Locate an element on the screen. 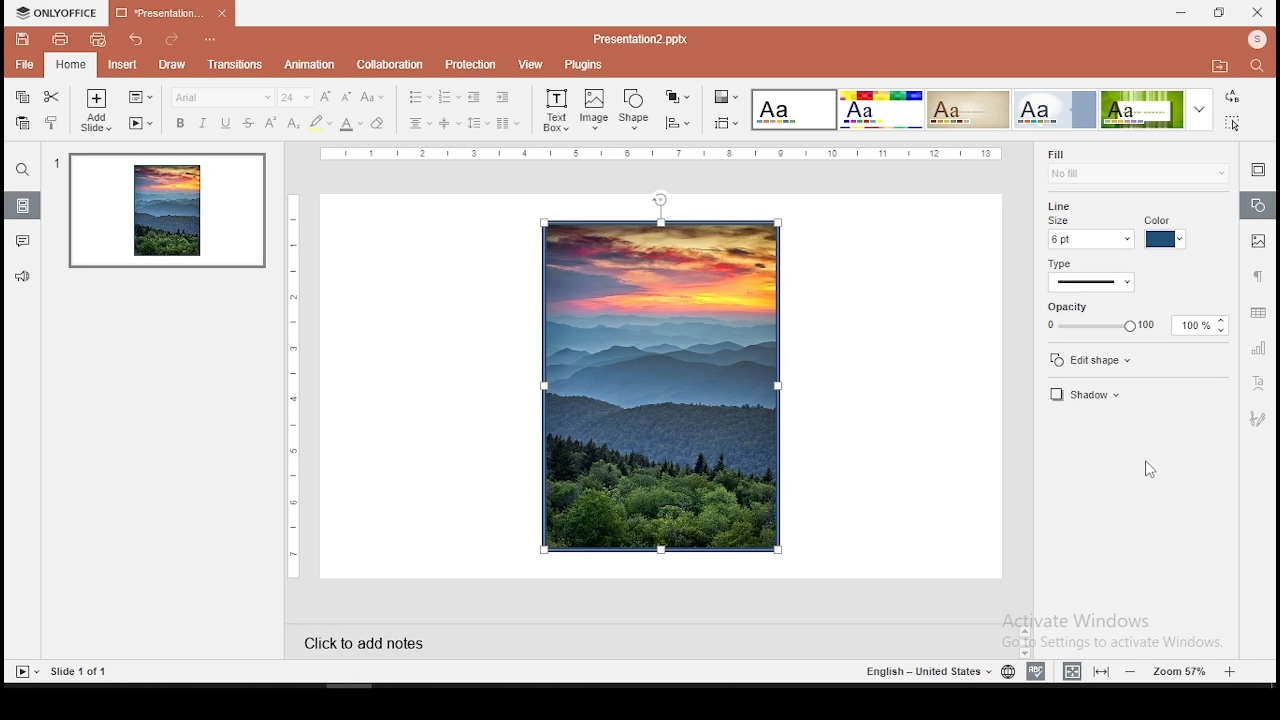 The height and width of the screenshot is (720, 1280). edit shape is located at coordinates (1092, 360).